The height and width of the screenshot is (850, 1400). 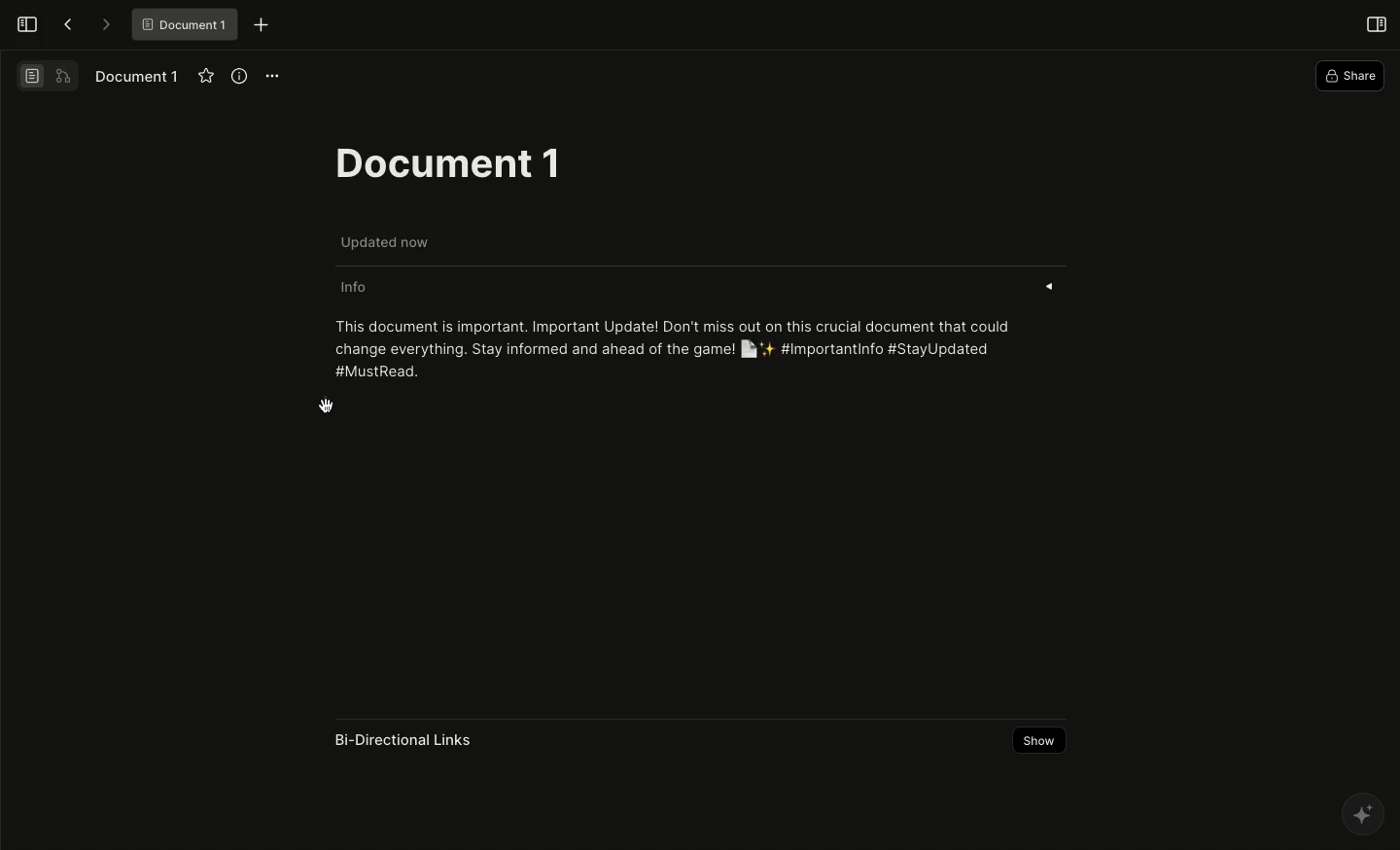 I want to click on Info, so click(x=694, y=289).